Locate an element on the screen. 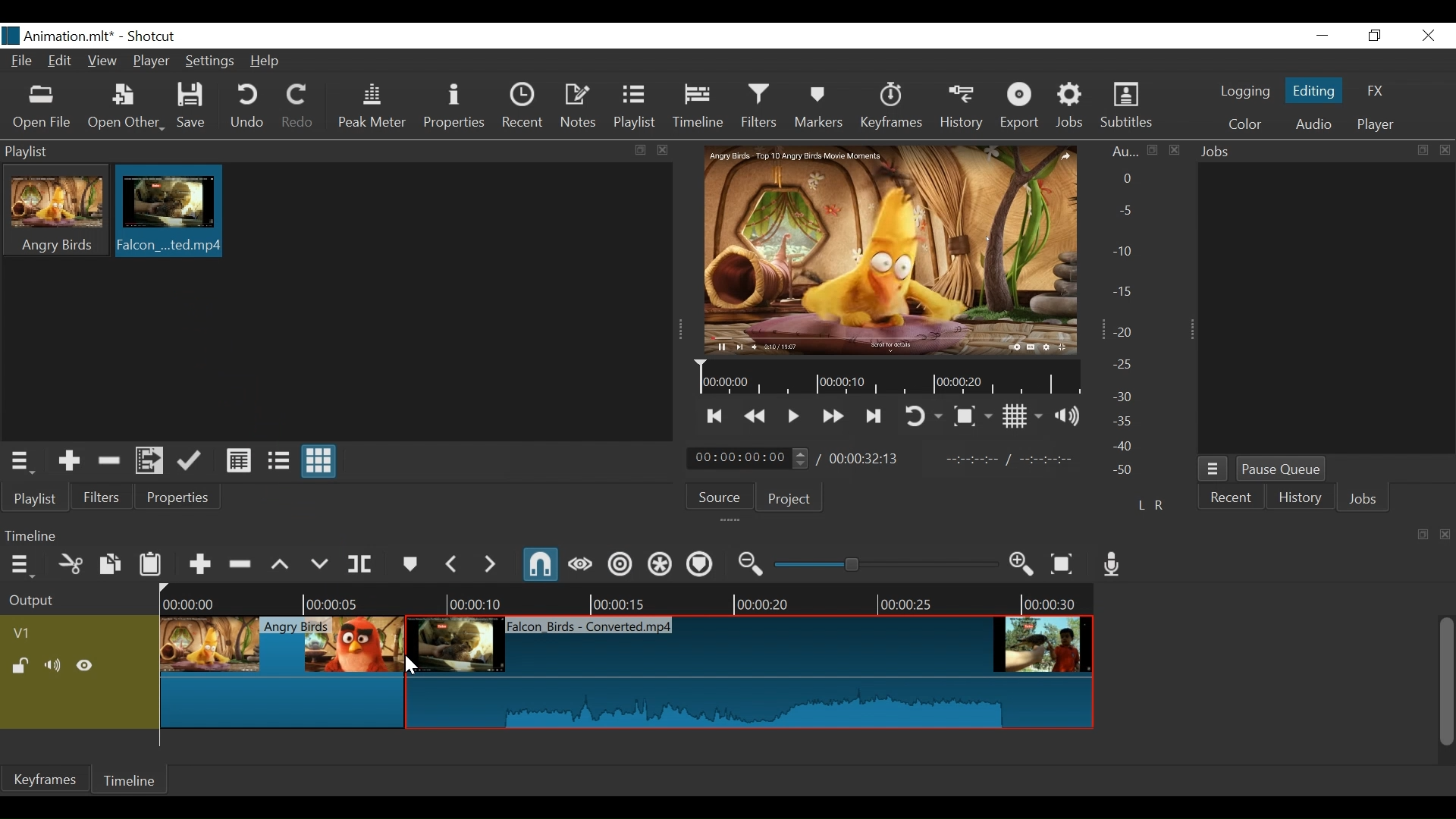 The image size is (1456, 819). Properties is located at coordinates (179, 497).